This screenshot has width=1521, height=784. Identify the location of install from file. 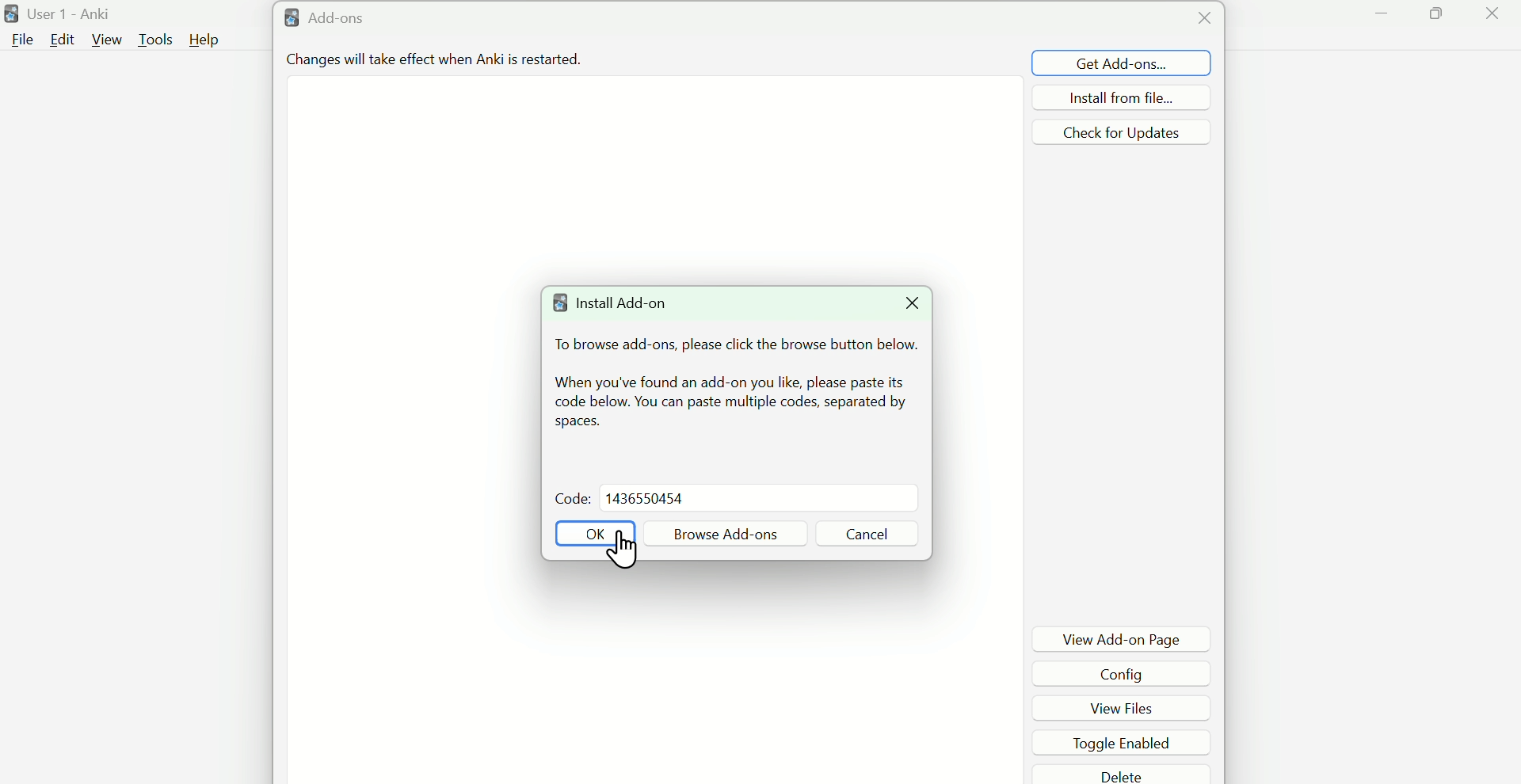
(1120, 97).